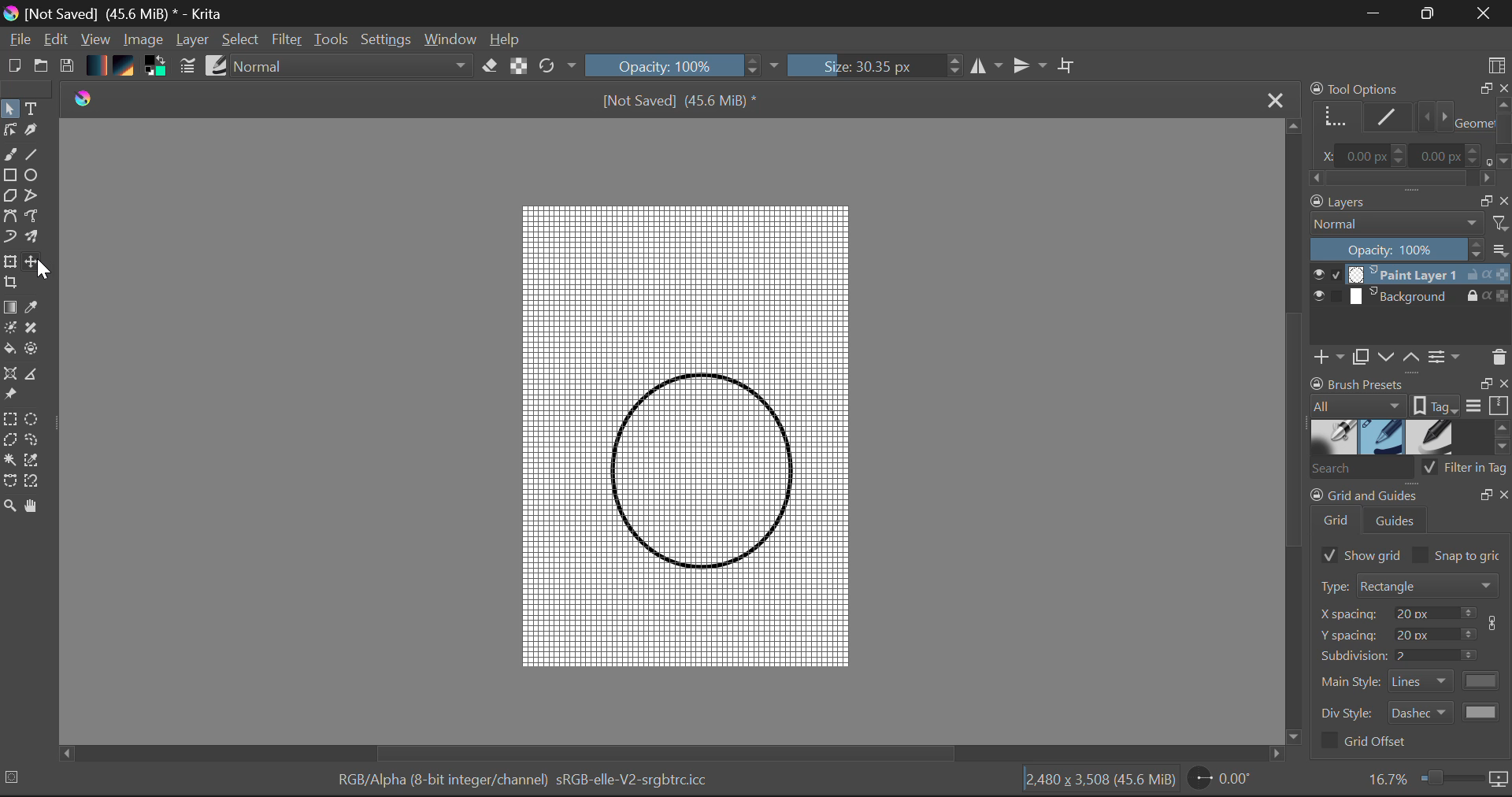 The image size is (1512, 797). I want to click on Dynamic Paintbrush, so click(9, 238).